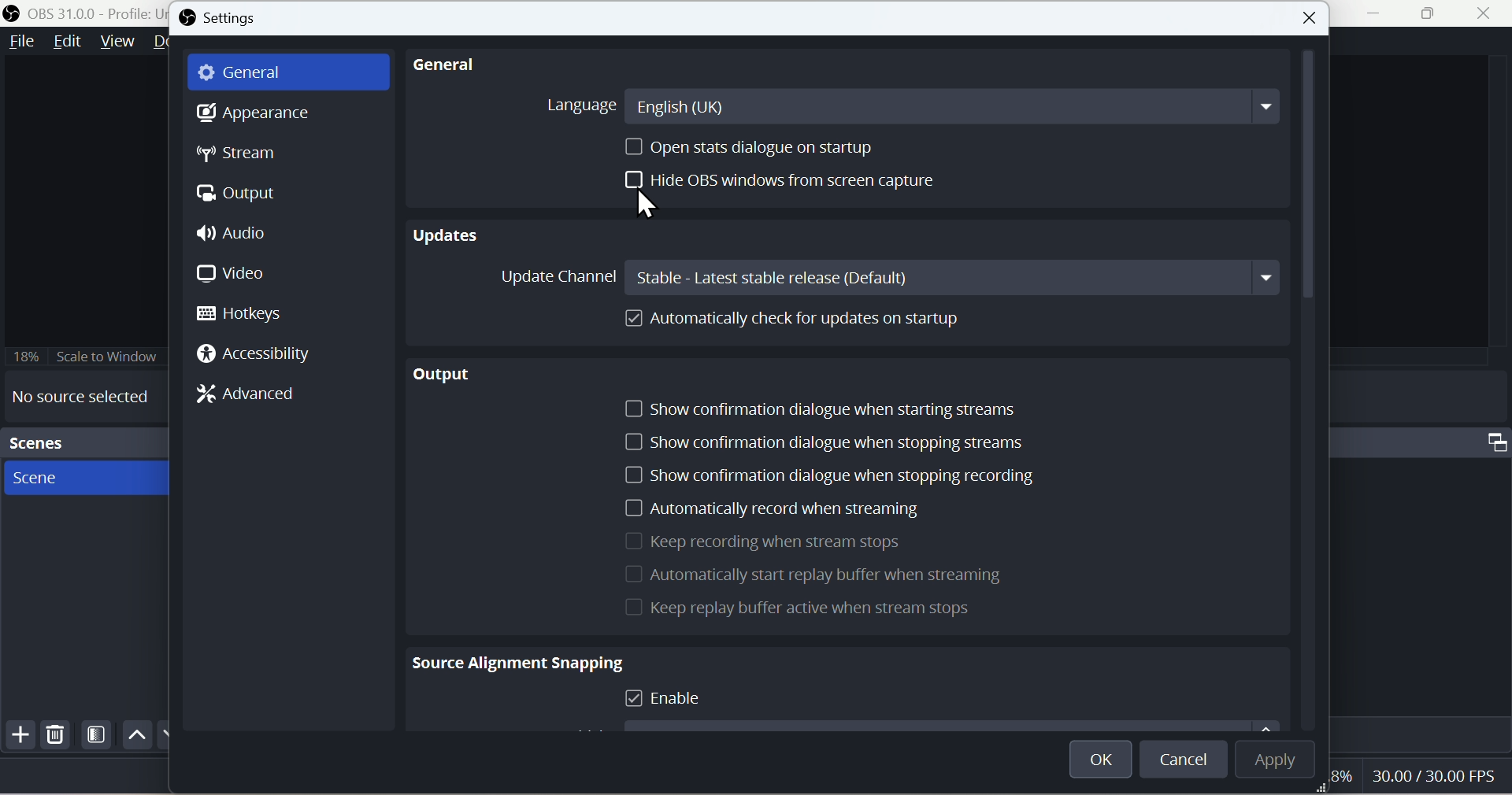 The height and width of the screenshot is (795, 1512). I want to click on Updates, so click(449, 240).